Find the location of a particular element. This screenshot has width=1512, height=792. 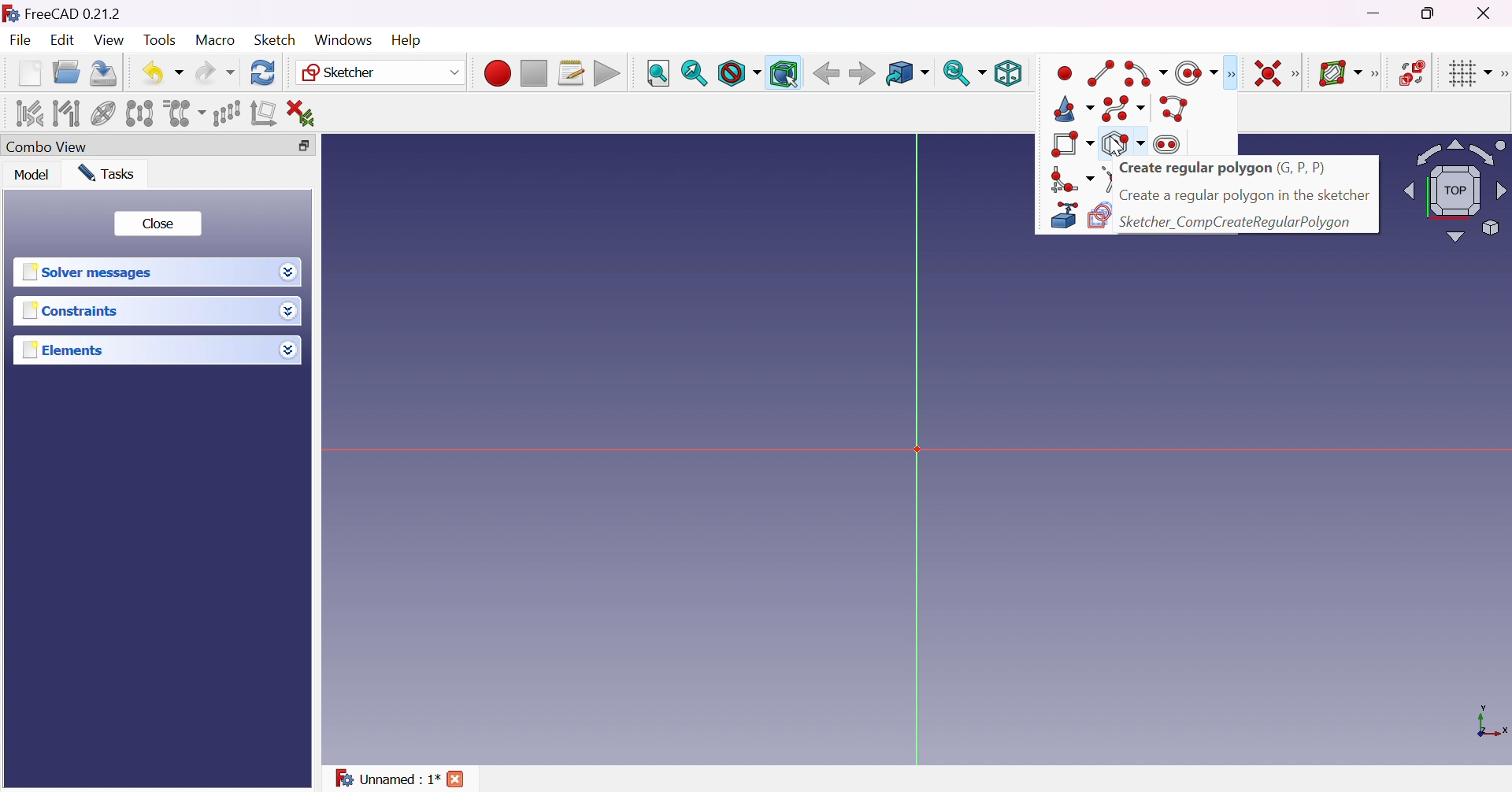

Refresh is located at coordinates (265, 73).